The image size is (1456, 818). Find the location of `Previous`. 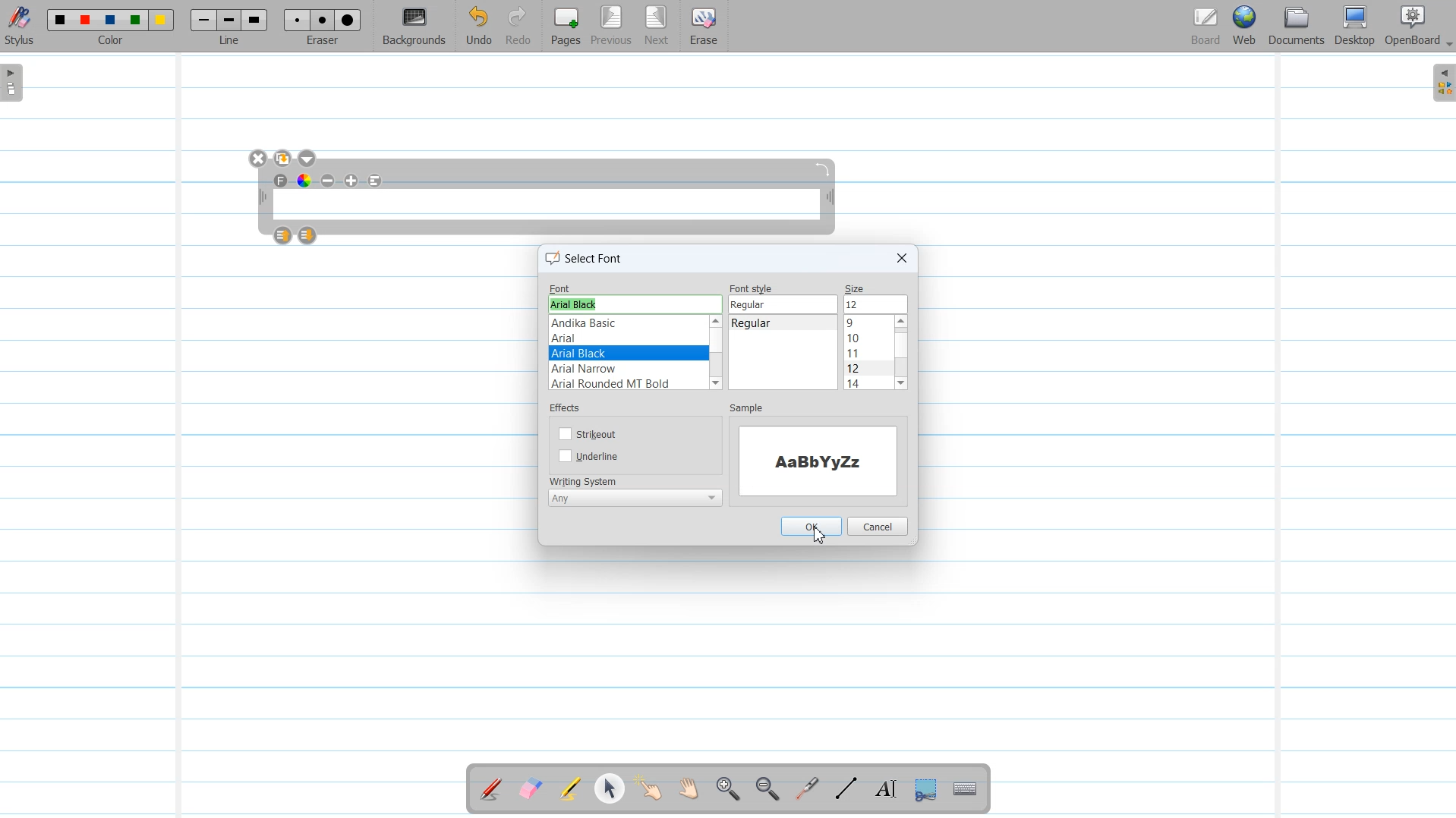

Previous is located at coordinates (613, 27).